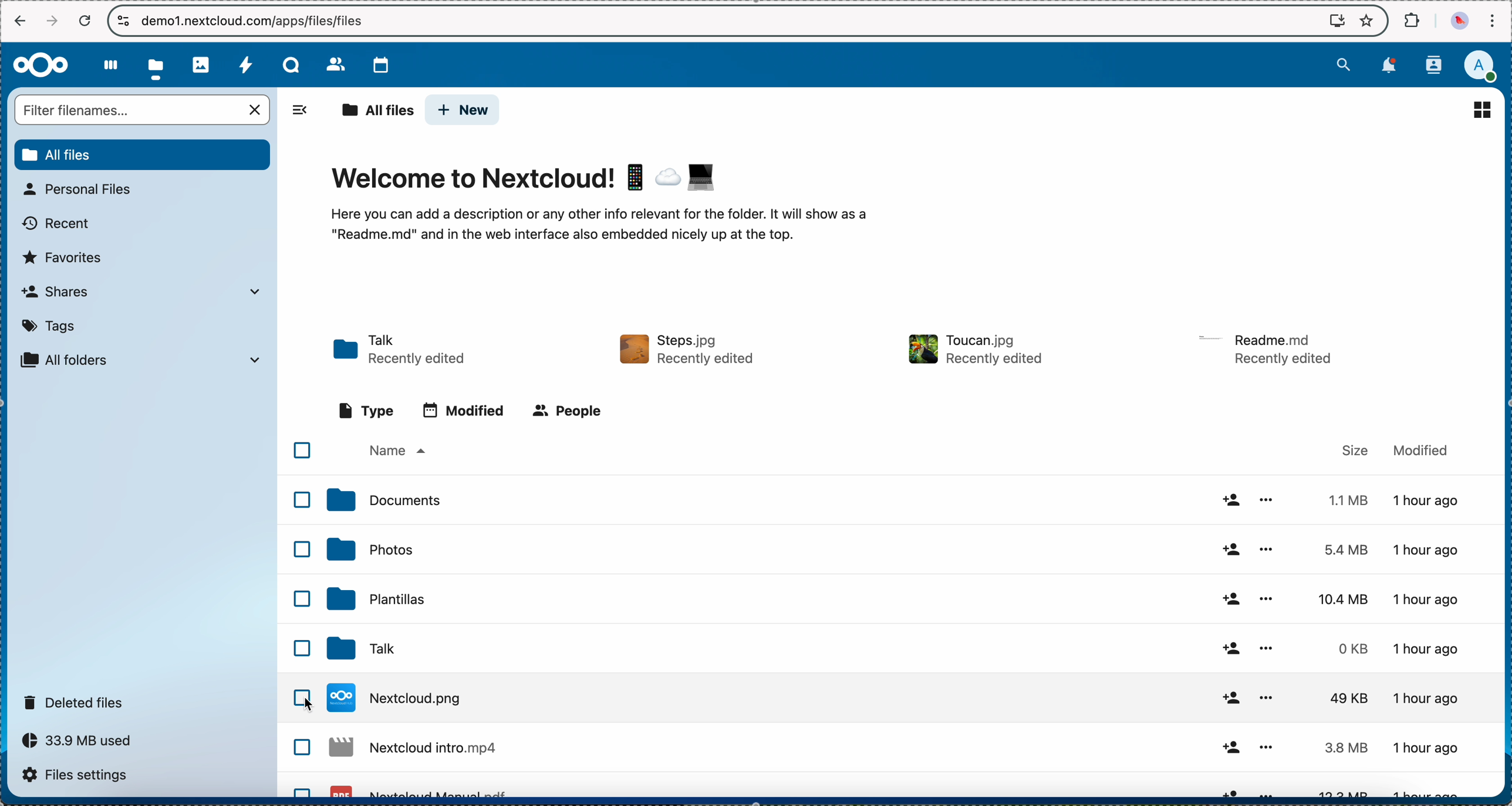  Describe the element at coordinates (141, 155) in the screenshot. I see `all files` at that location.